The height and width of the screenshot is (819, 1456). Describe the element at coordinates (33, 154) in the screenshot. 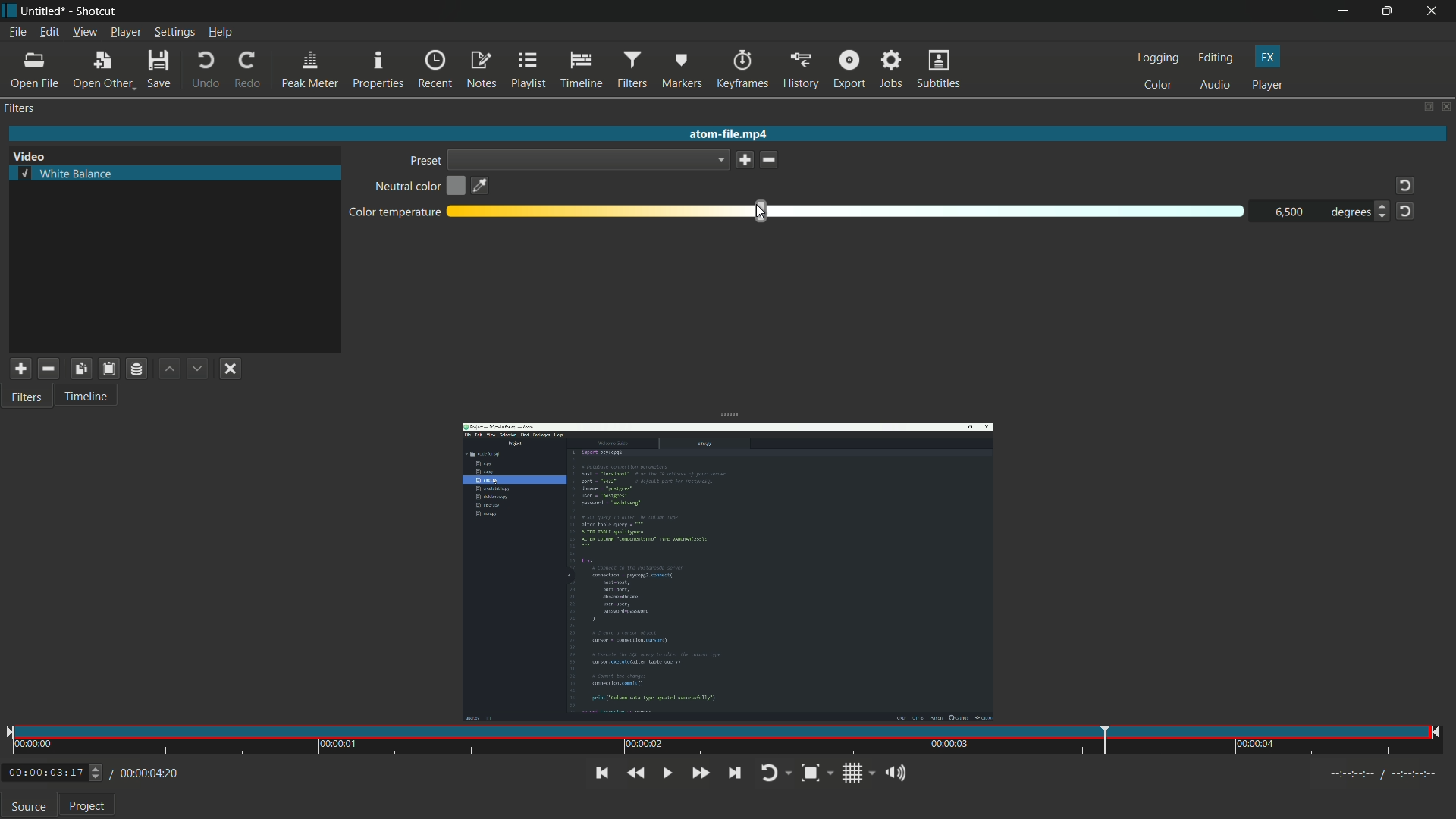

I see `Video` at that location.